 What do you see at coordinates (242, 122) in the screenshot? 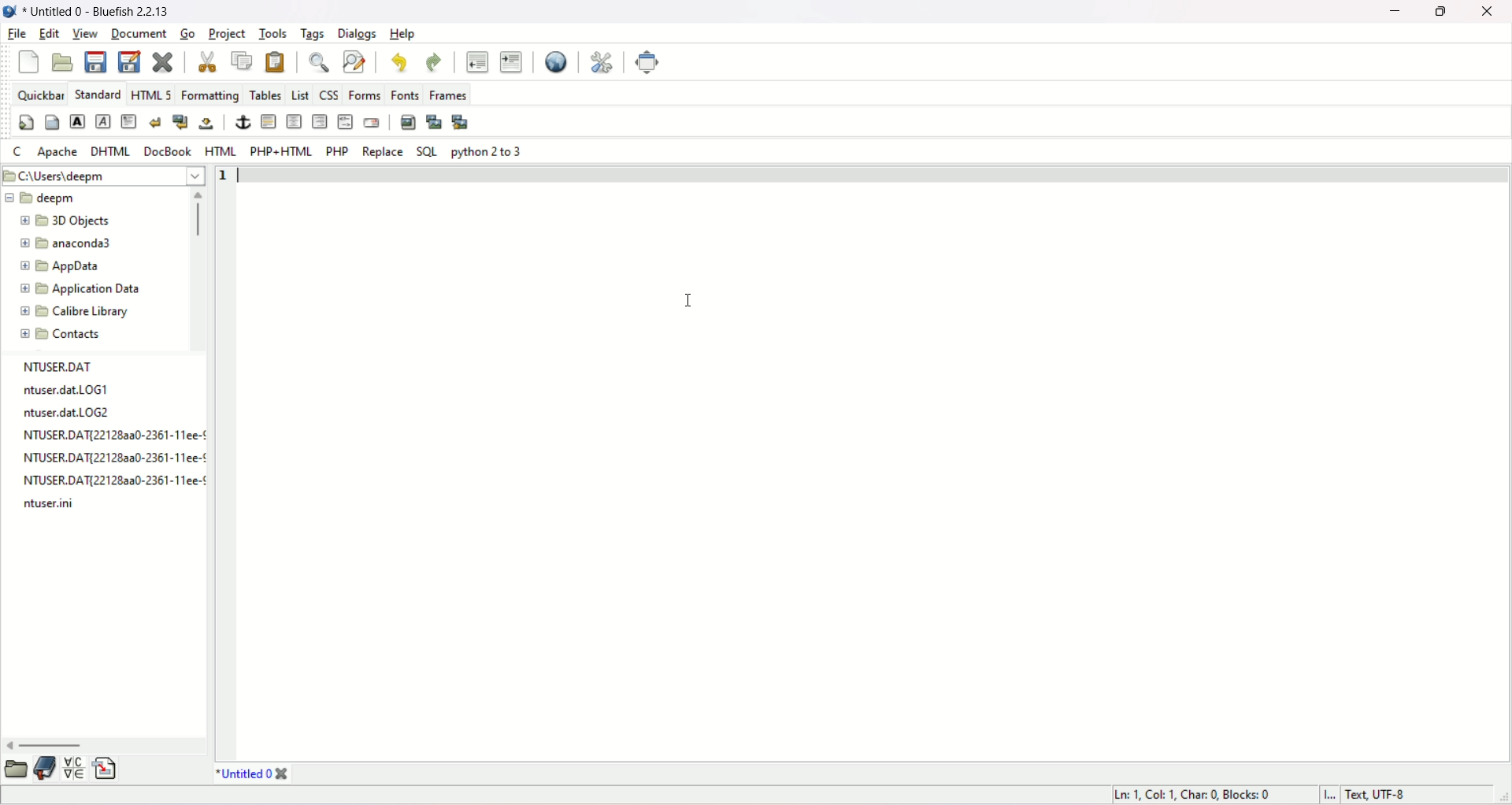
I see `anchor` at bounding box center [242, 122].